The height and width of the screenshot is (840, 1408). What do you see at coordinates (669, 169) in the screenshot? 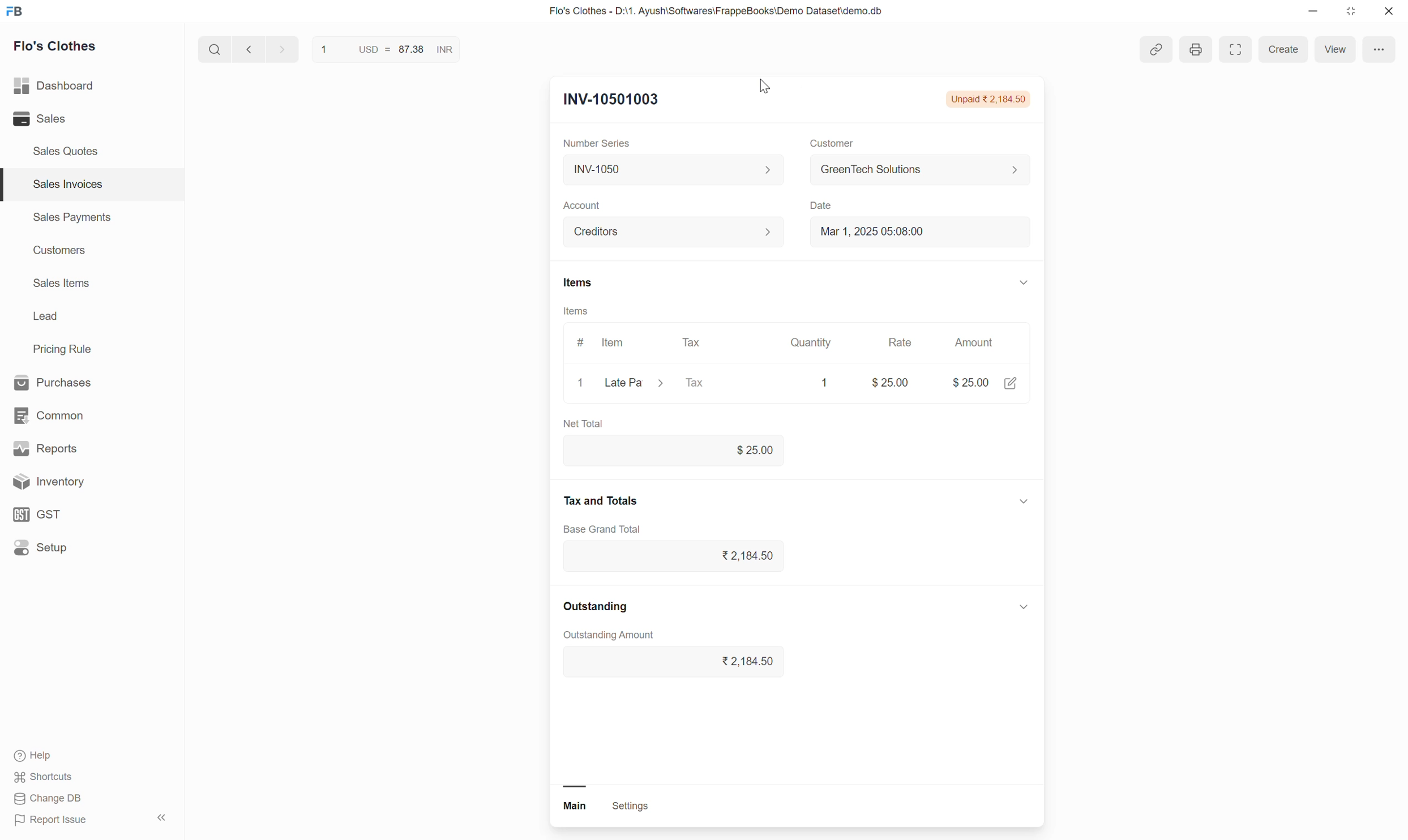
I see `Select Number series` at bounding box center [669, 169].